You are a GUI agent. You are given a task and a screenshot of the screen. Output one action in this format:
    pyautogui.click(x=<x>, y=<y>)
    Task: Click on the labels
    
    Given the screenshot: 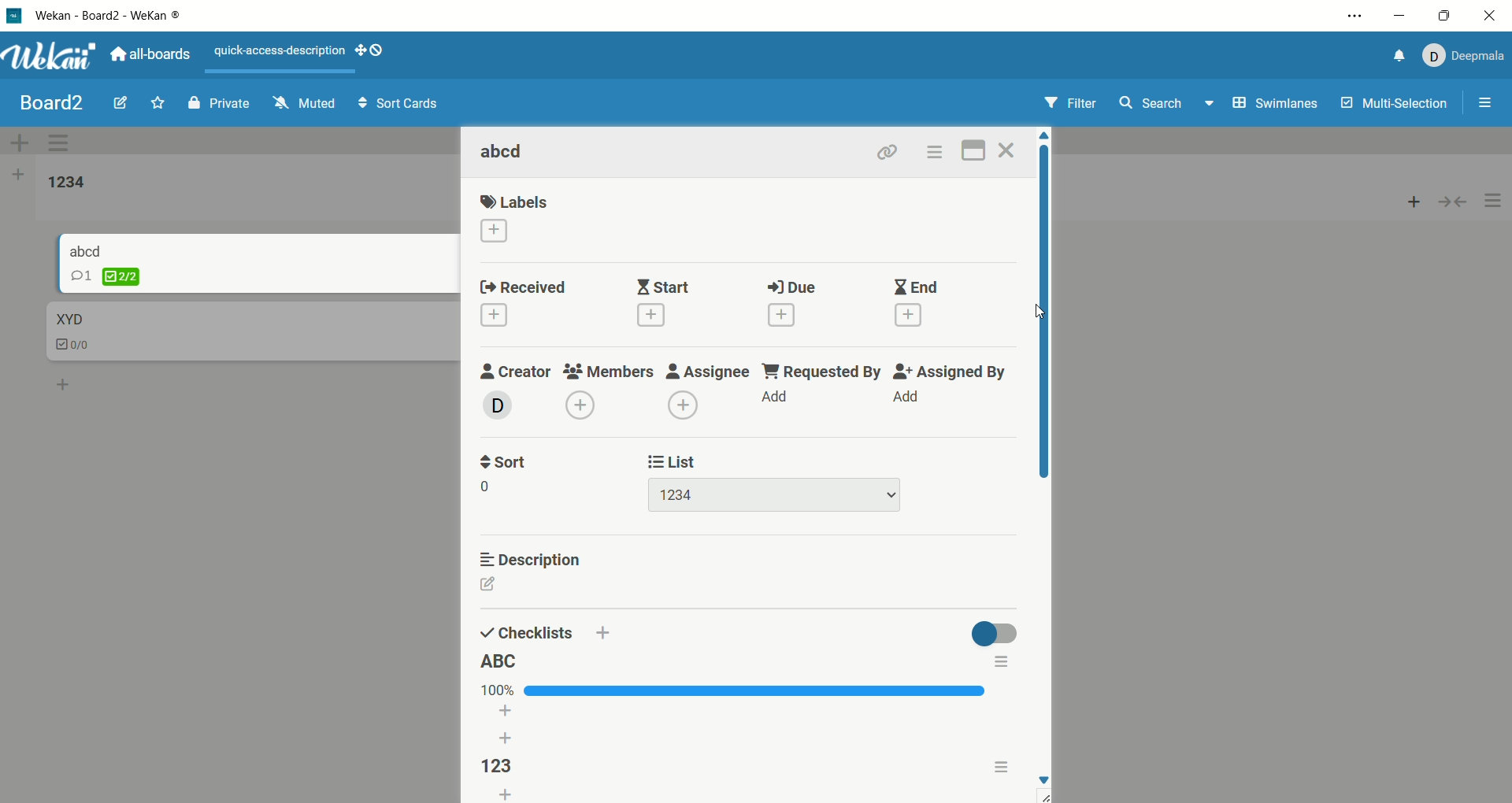 What is the action you would take?
    pyautogui.click(x=516, y=202)
    